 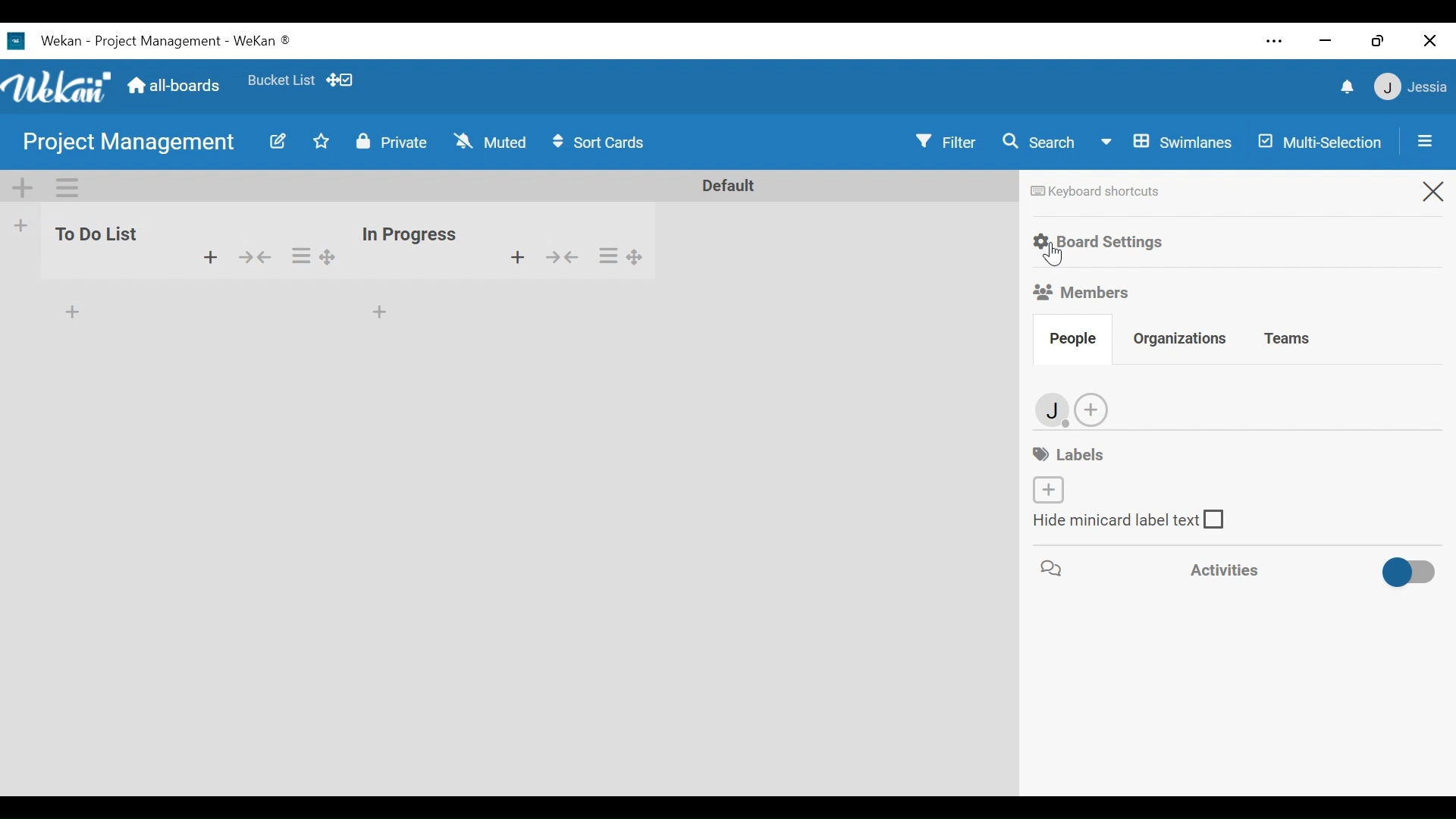 I want to click on Multi-Selection, so click(x=1319, y=141).